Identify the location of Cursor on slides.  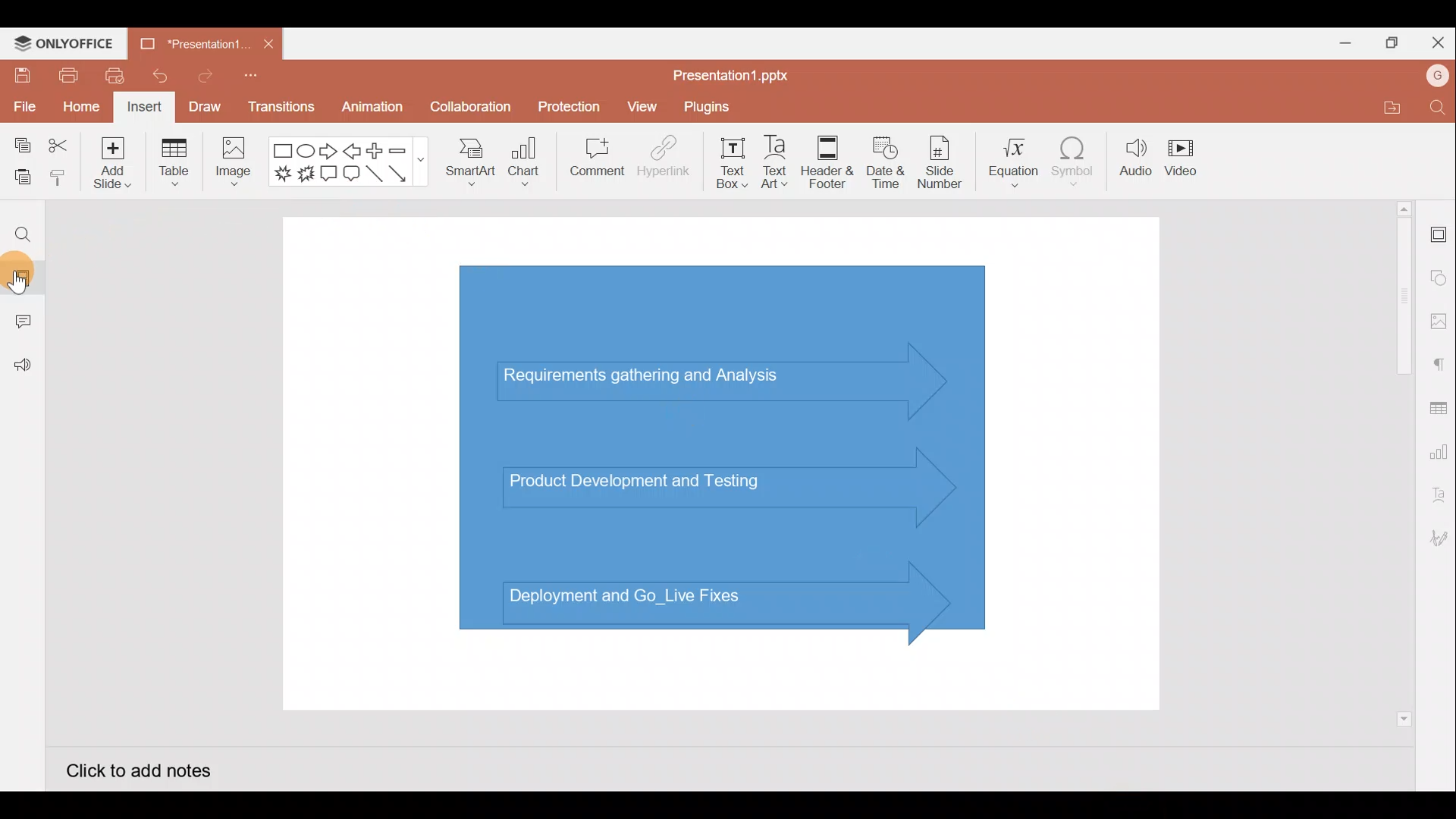
(42, 274).